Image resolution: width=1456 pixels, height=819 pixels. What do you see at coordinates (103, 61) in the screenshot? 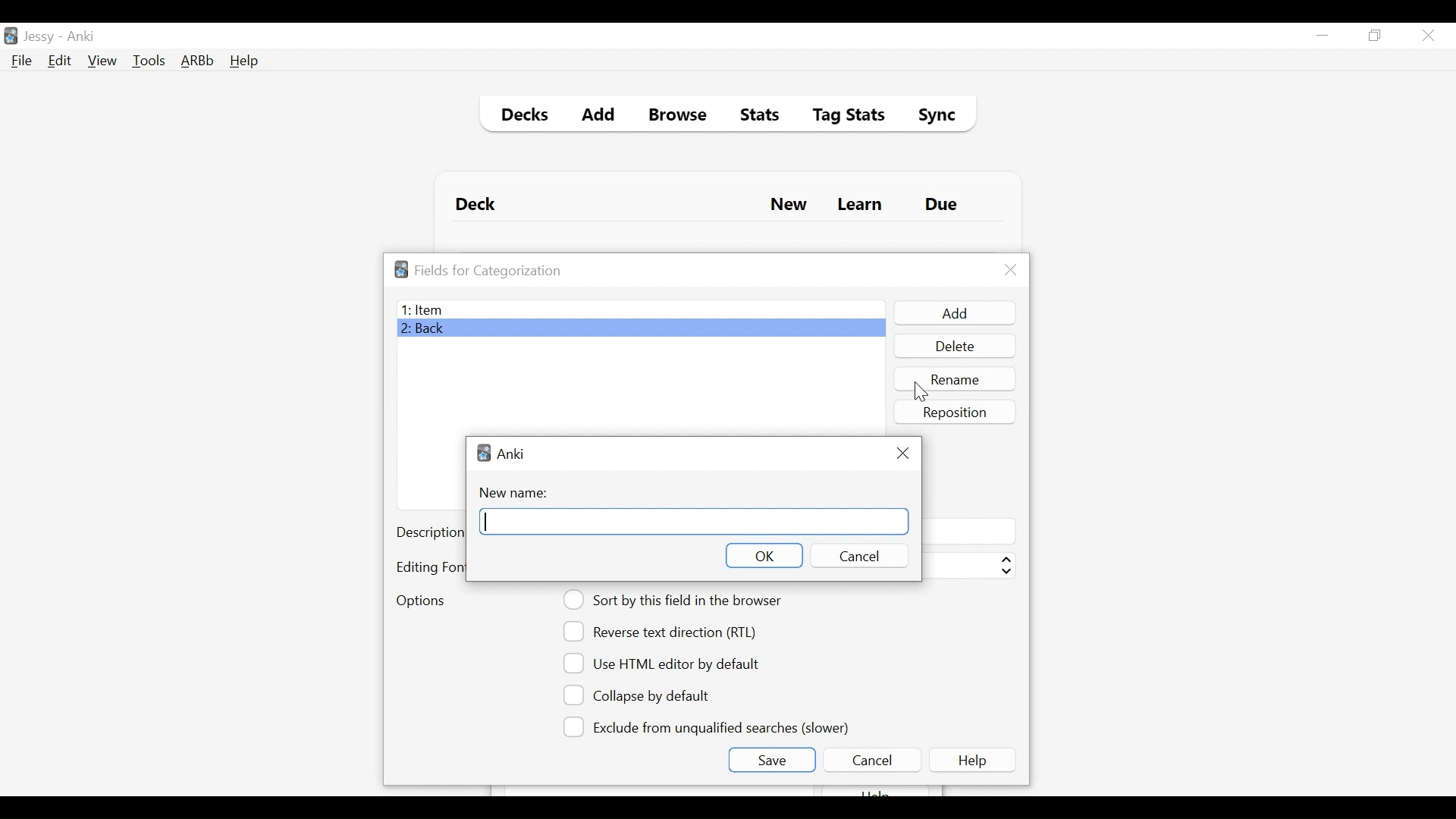
I see `View` at bounding box center [103, 61].